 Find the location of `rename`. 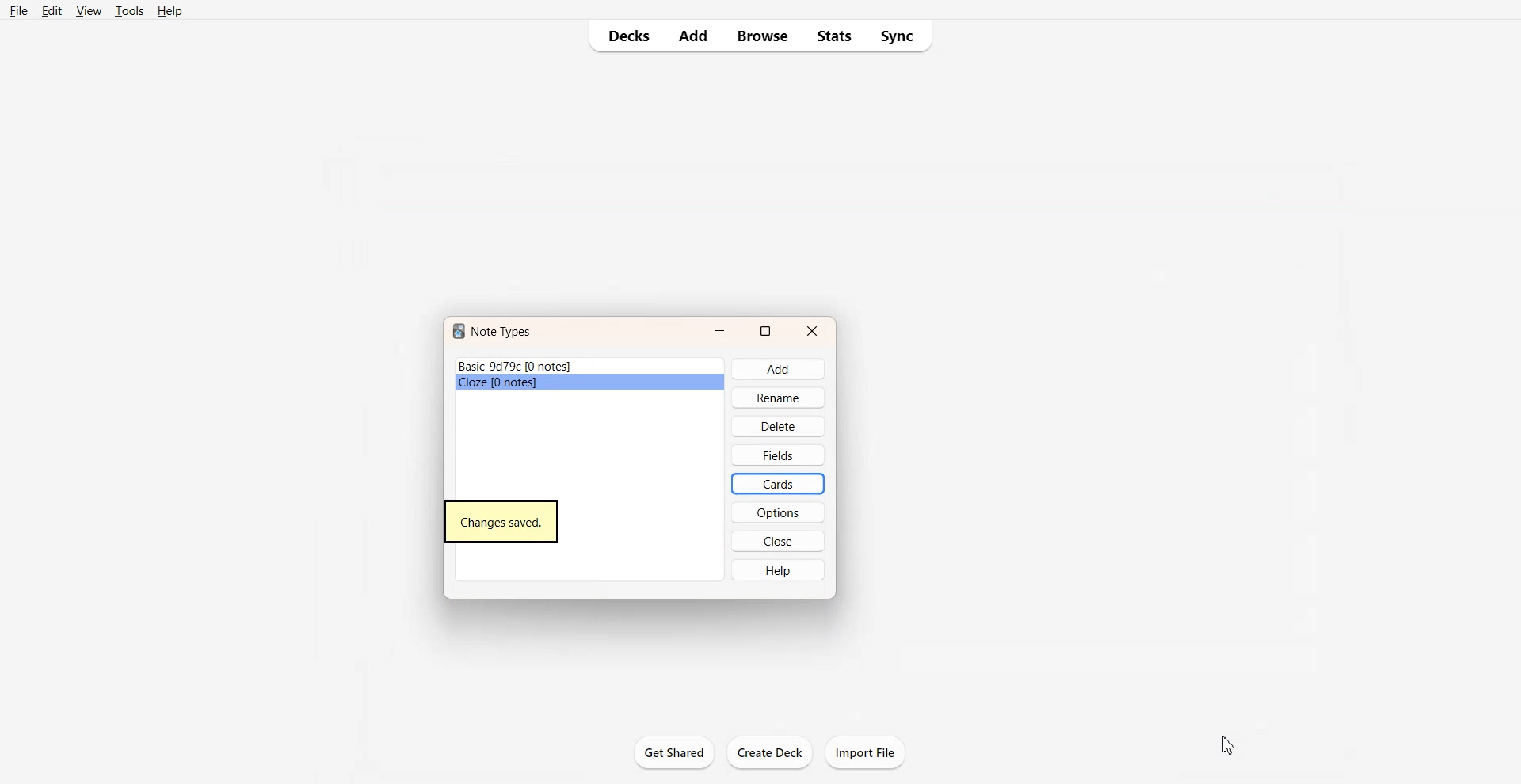

rename is located at coordinates (782, 398).